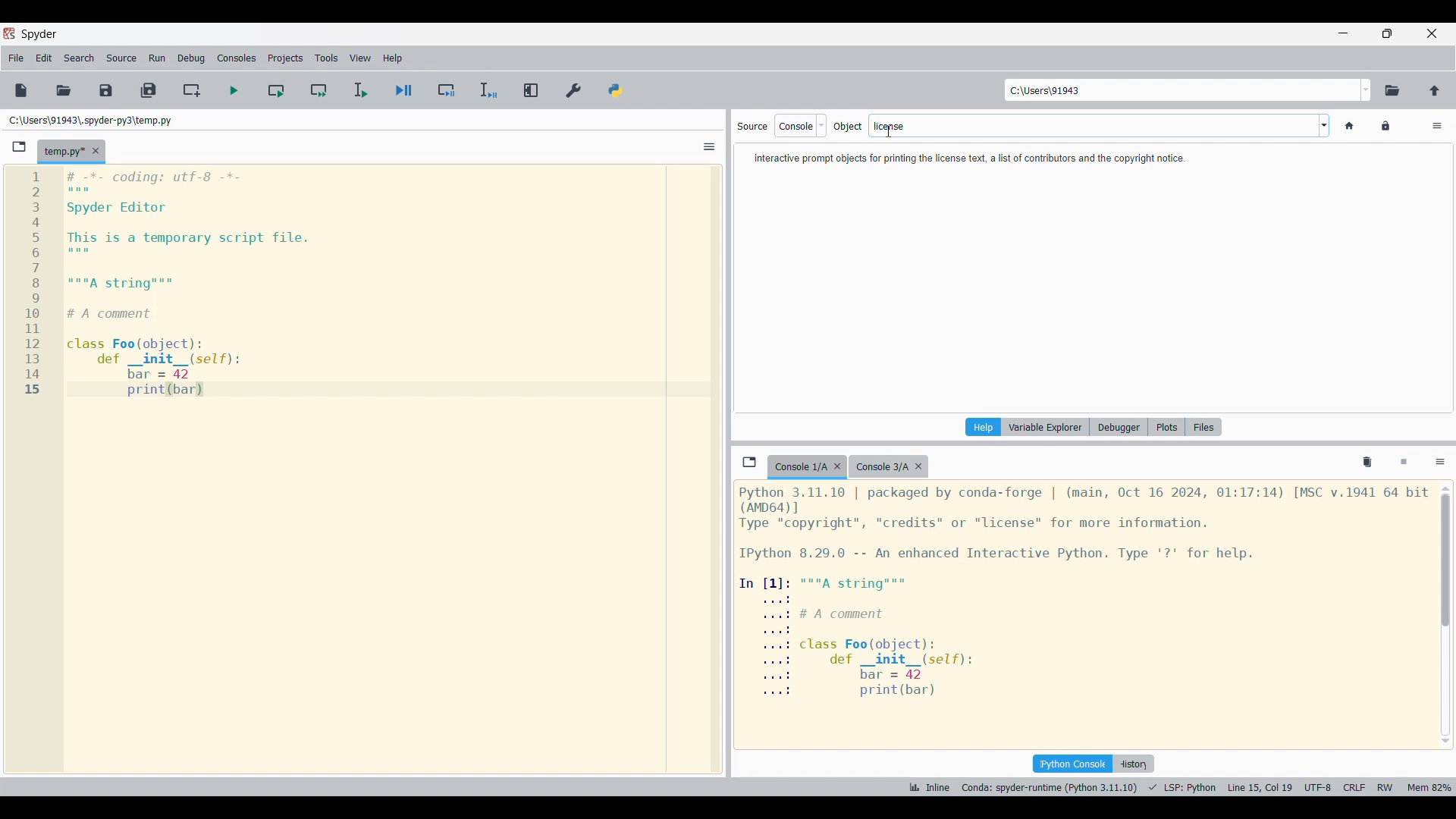  What do you see at coordinates (984, 427) in the screenshot?
I see `Current pane highlighted` at bounding box center [984, 427].